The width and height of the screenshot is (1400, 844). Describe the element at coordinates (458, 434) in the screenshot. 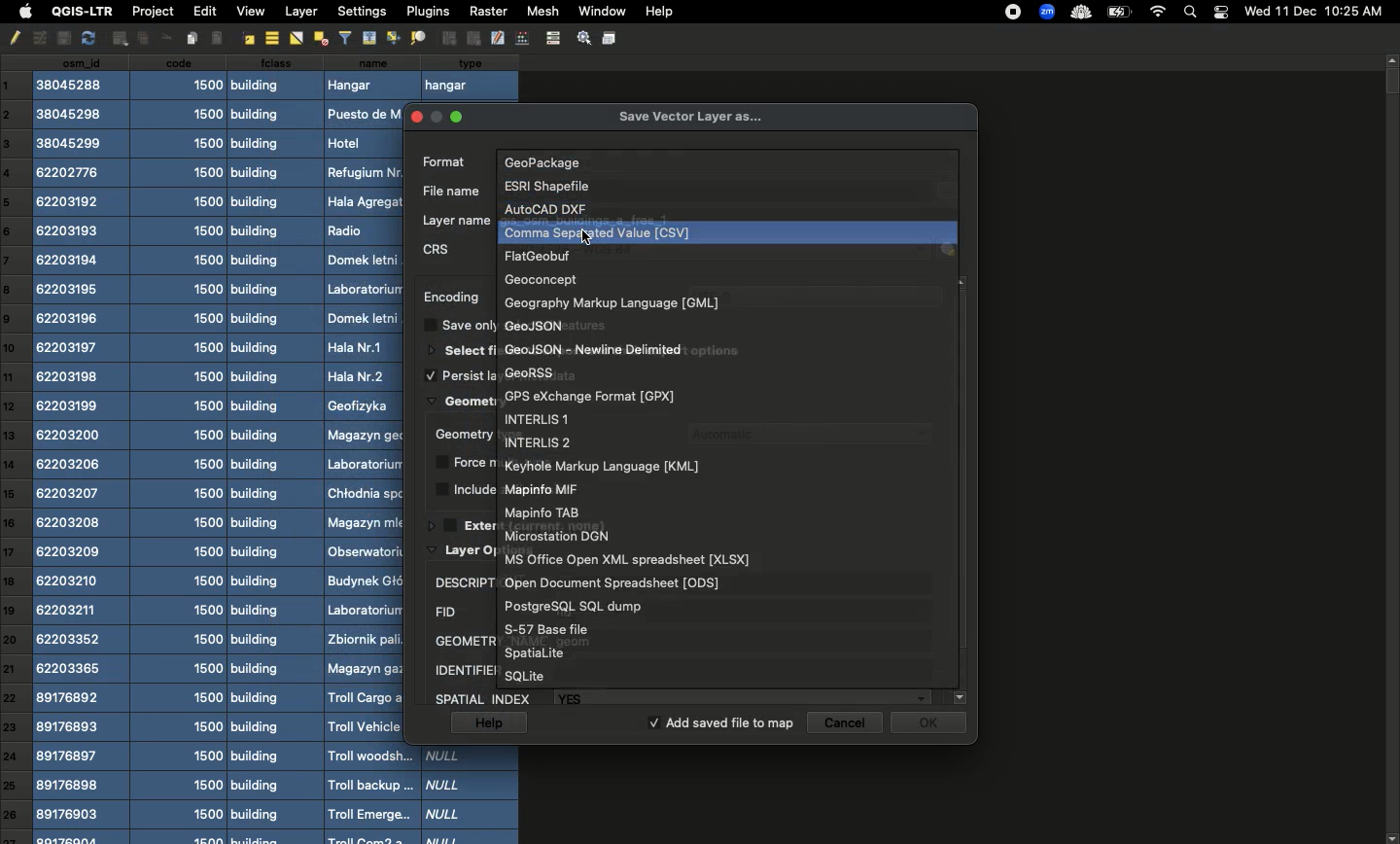

I see `‘Geometry` at that location.